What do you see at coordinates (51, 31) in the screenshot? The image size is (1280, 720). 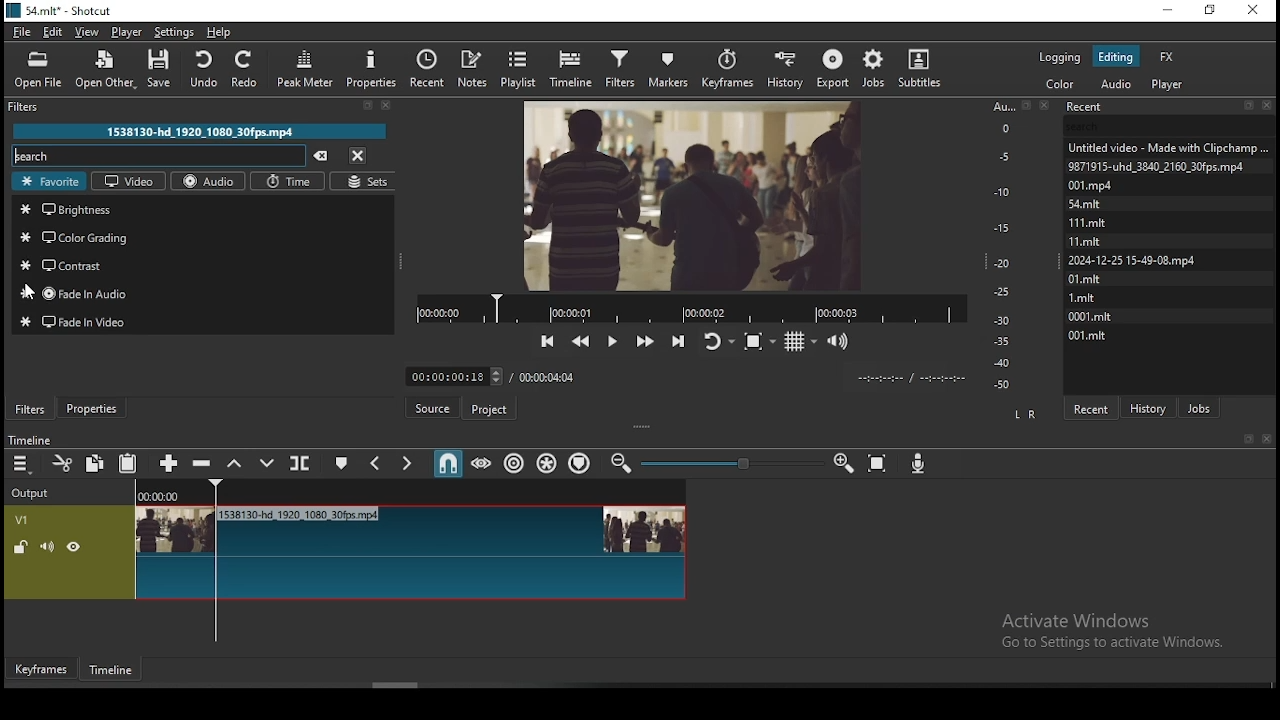 I see `edit` at bounding box center [51, 31].